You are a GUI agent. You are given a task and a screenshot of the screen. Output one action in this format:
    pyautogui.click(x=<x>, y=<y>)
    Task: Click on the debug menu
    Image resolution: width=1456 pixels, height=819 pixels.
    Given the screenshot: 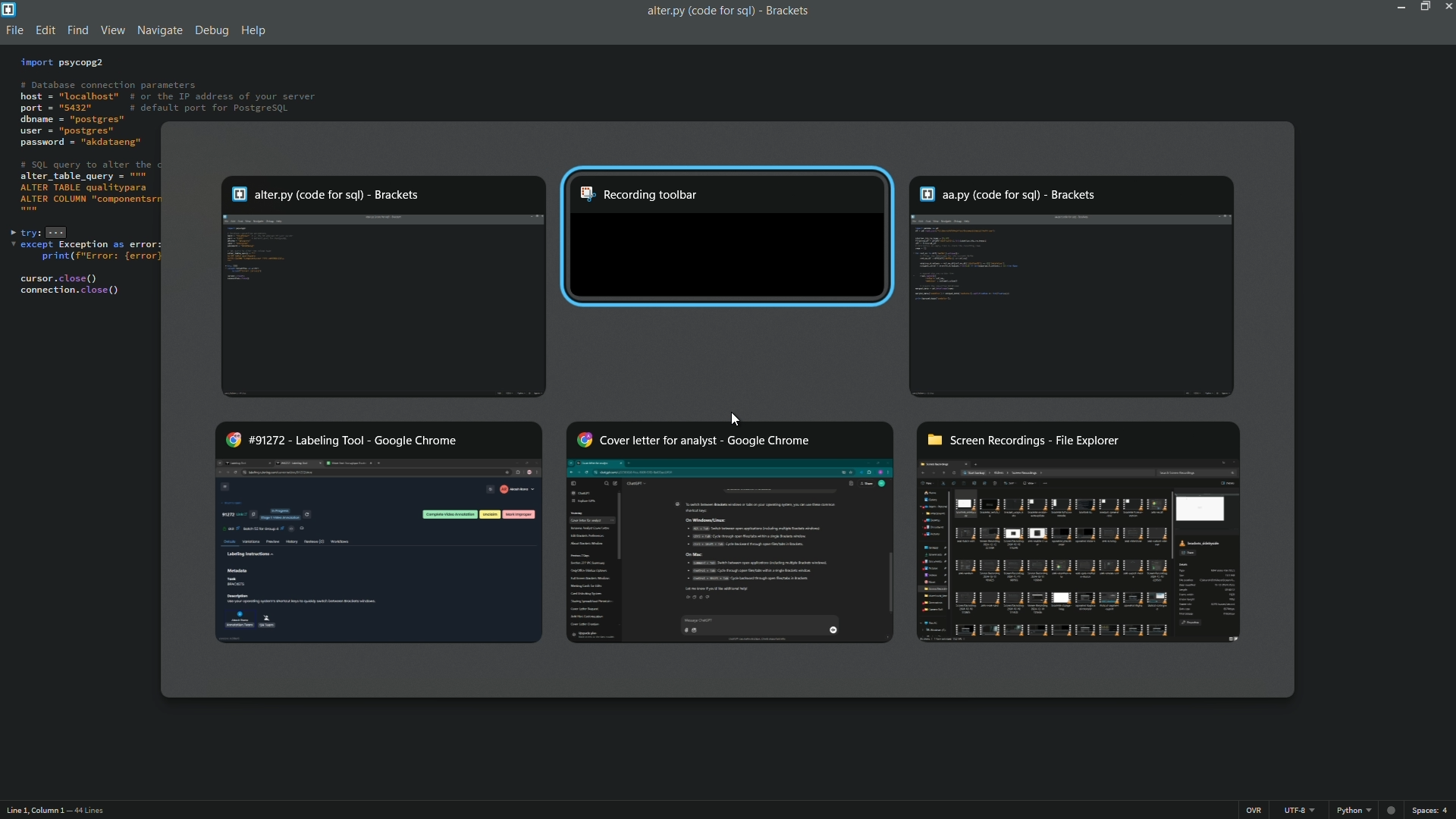 What is the action you would take?
    pyautogui.click(x=211, y=32)
    